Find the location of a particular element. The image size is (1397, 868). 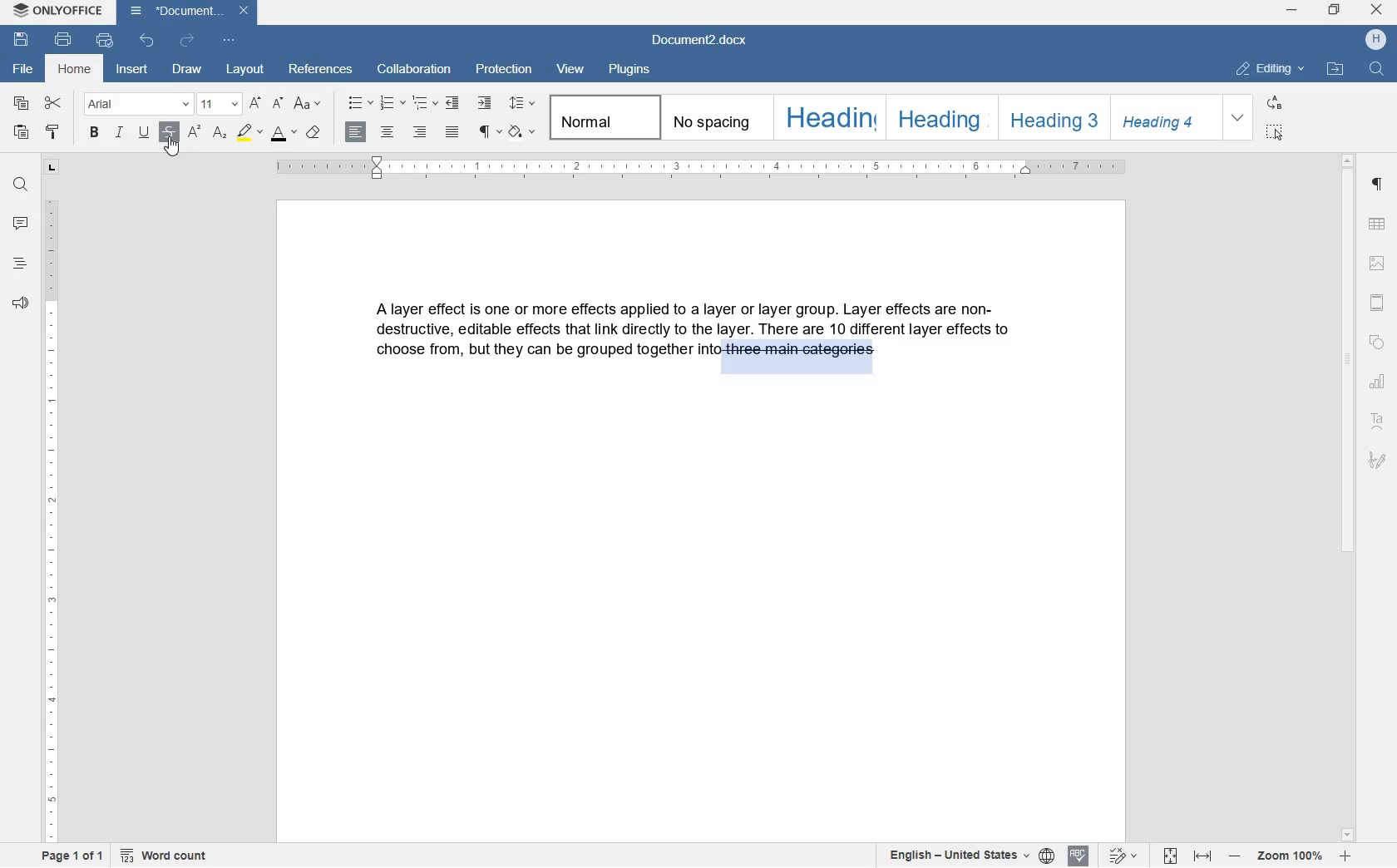

font size is located at coordinates (218, 103).